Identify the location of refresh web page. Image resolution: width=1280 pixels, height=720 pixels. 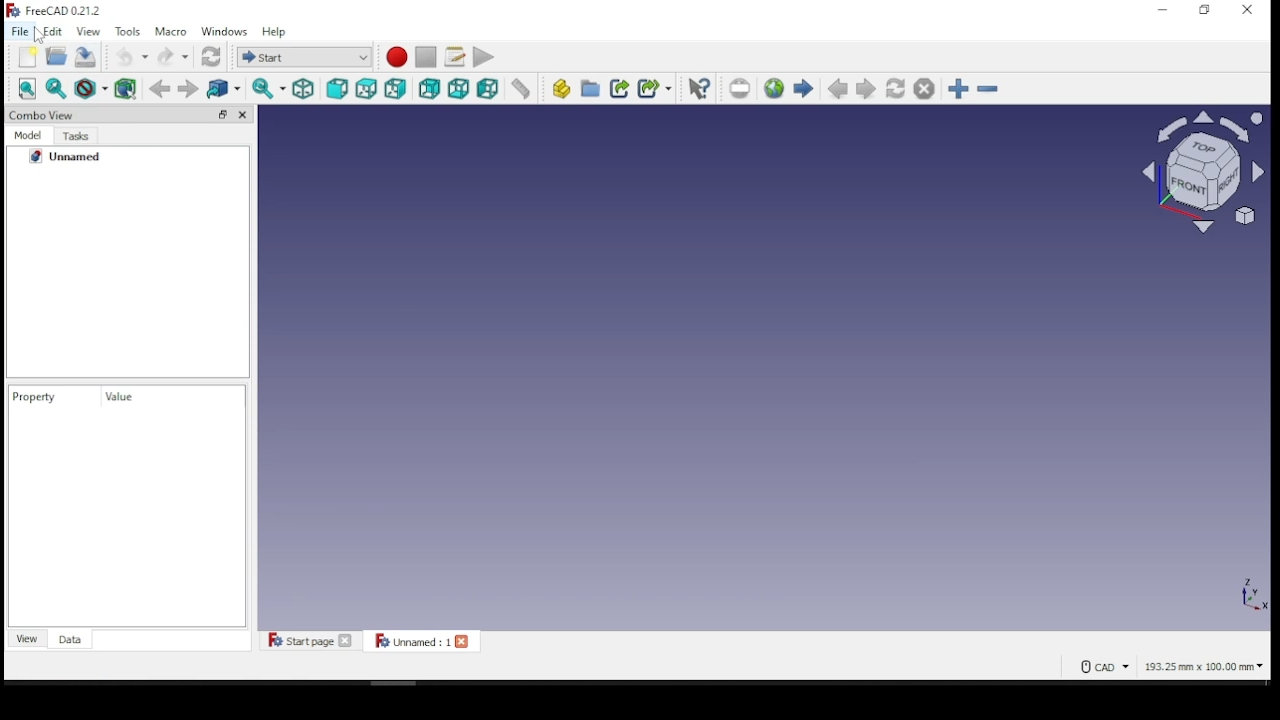
(894, 87).